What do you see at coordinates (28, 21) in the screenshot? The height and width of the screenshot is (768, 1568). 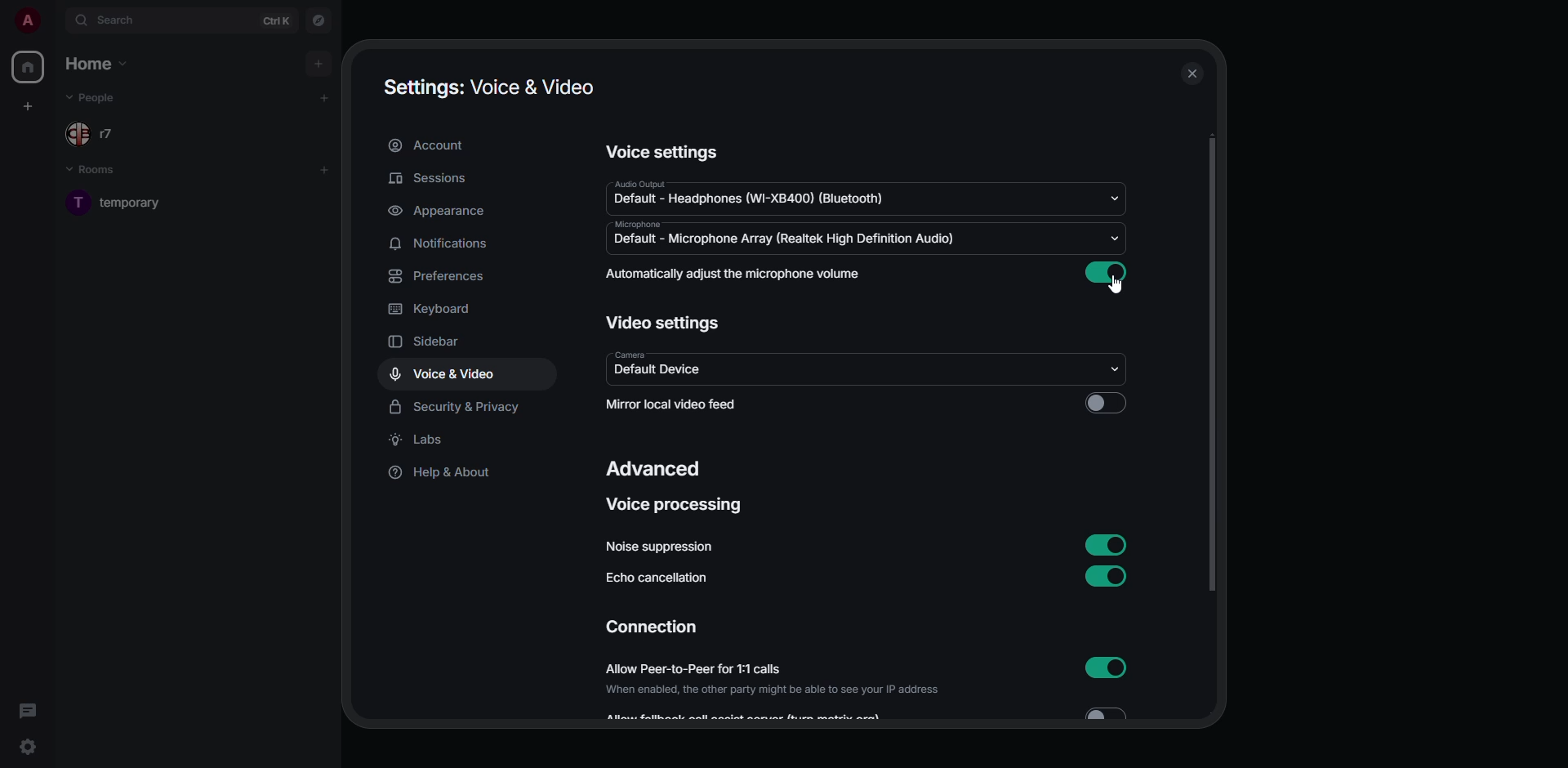 I see `profile` at bounding box center [28, 21].